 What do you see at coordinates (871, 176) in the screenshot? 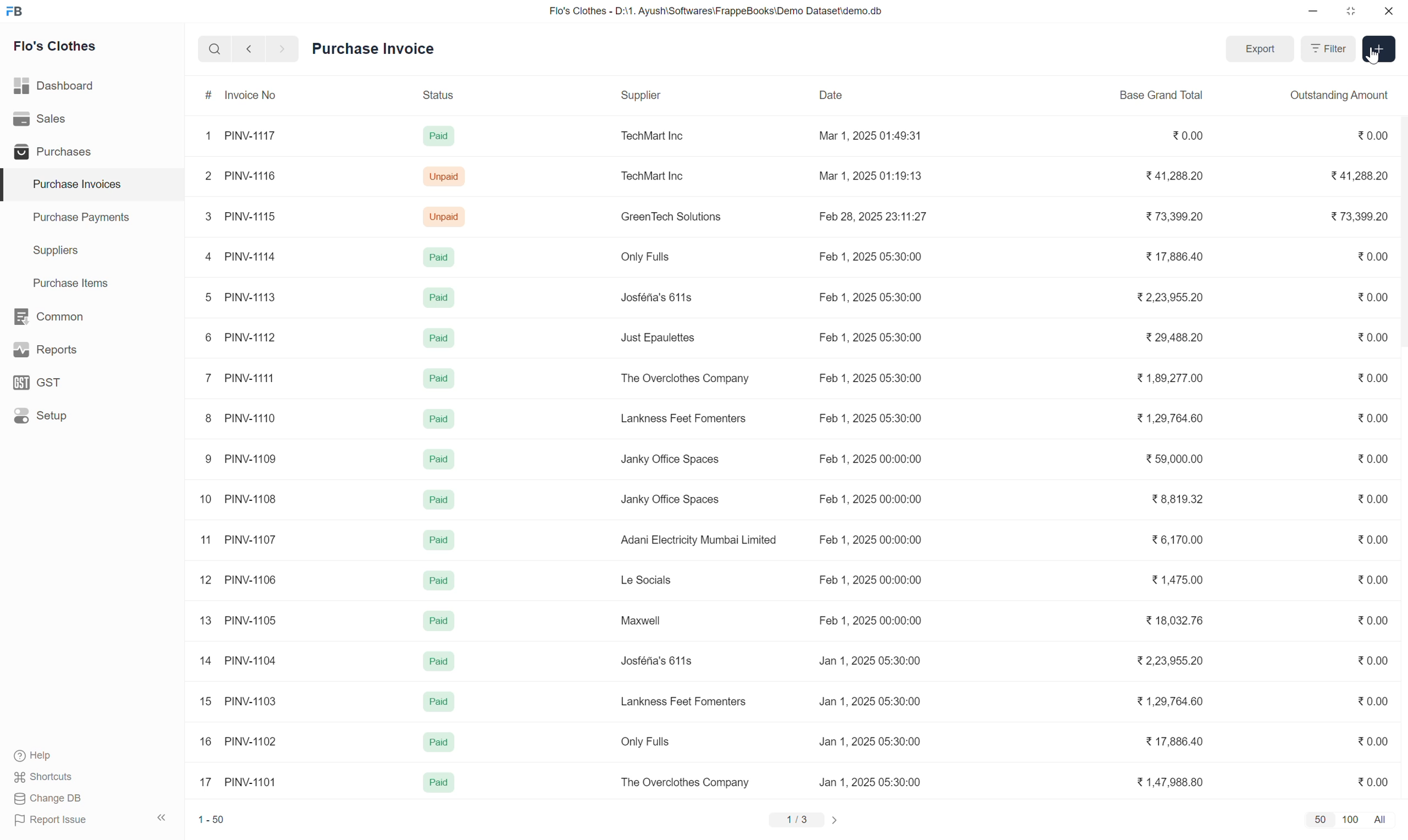
I see `Mar 1, 2025 01:19:13` at bounding box center [871, 176].